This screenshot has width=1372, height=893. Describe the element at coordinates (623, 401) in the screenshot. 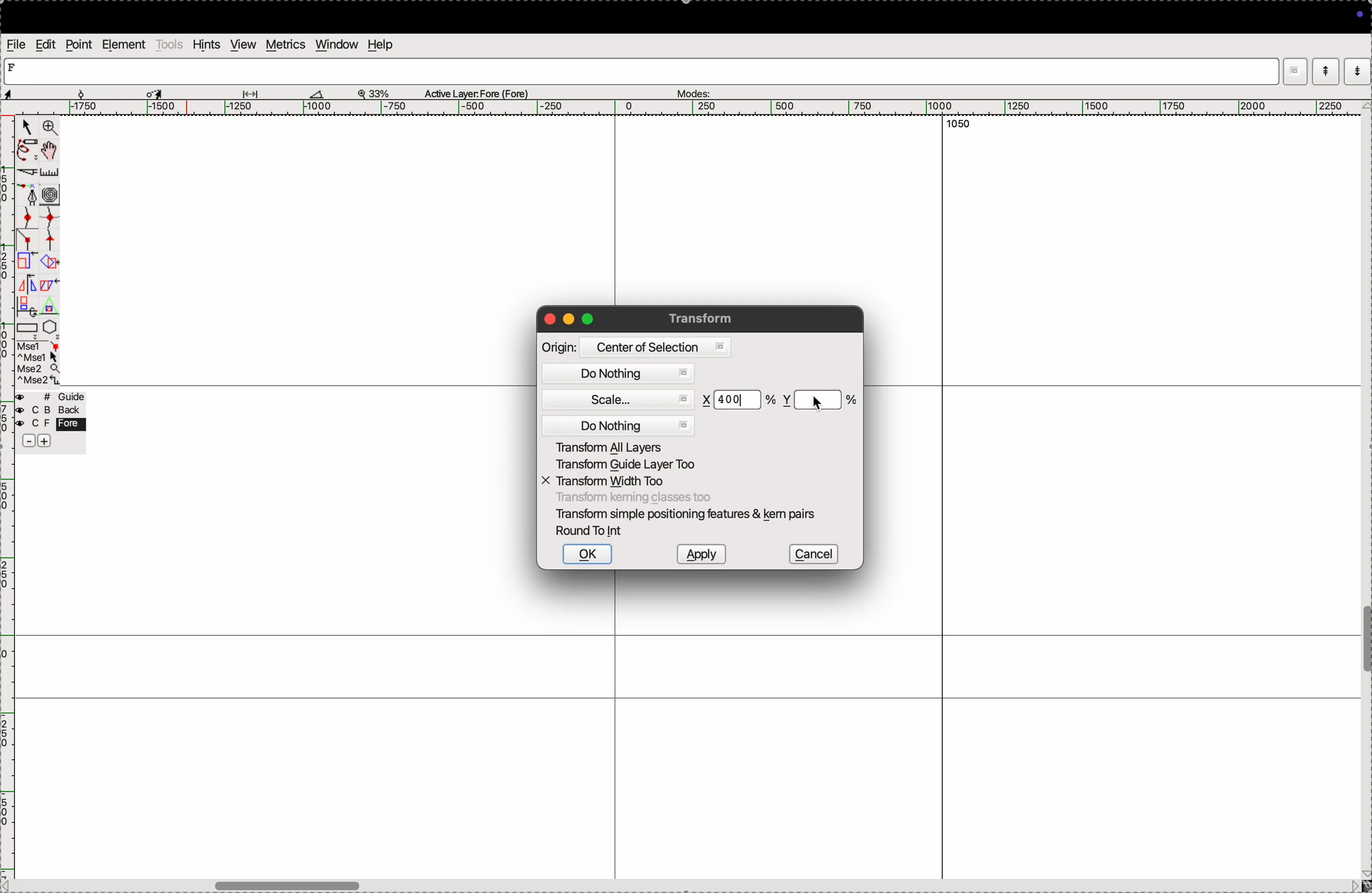

I see `scale` at that location.